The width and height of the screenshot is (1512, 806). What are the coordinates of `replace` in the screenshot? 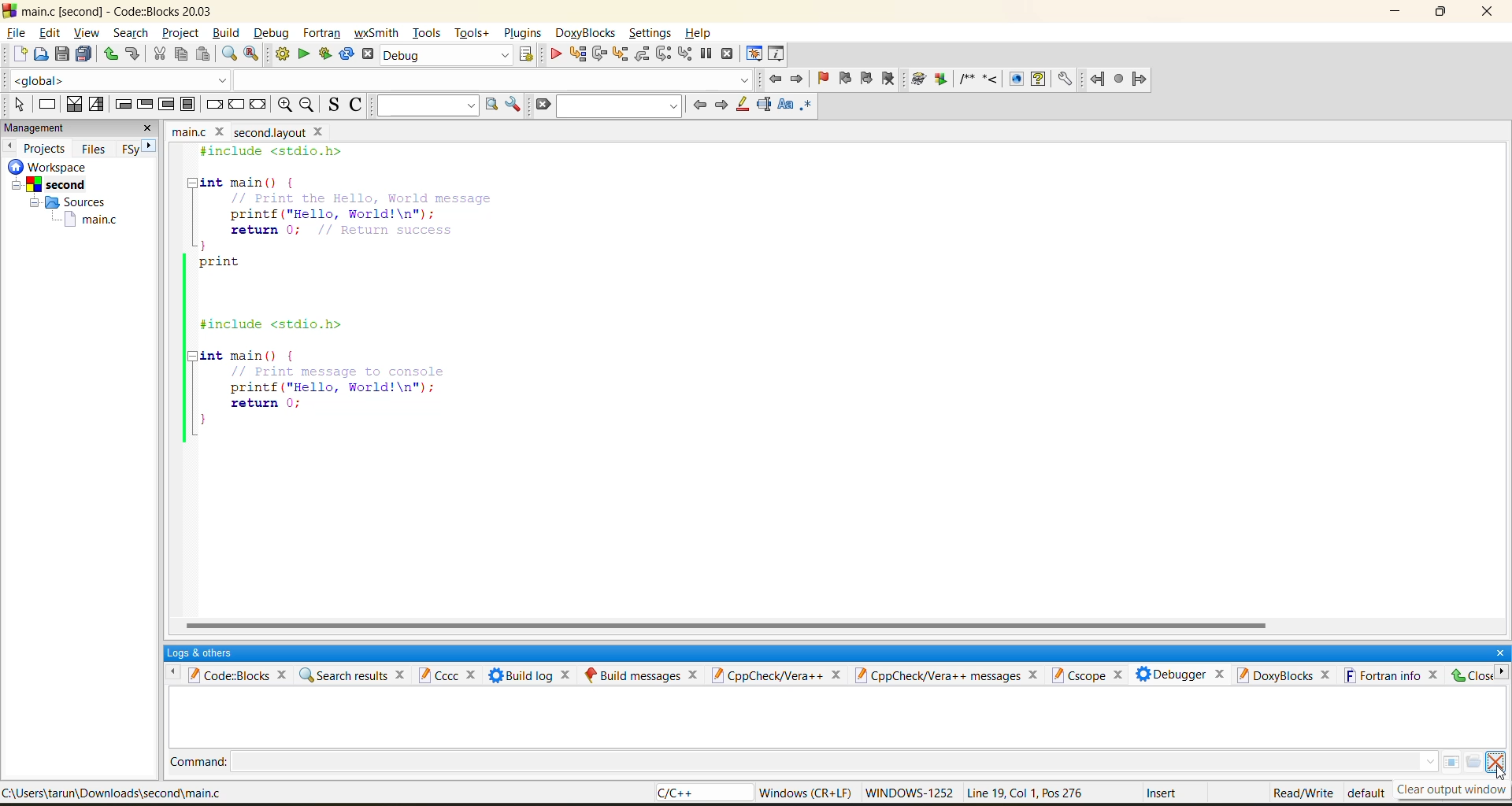 It's located at (301, 55).